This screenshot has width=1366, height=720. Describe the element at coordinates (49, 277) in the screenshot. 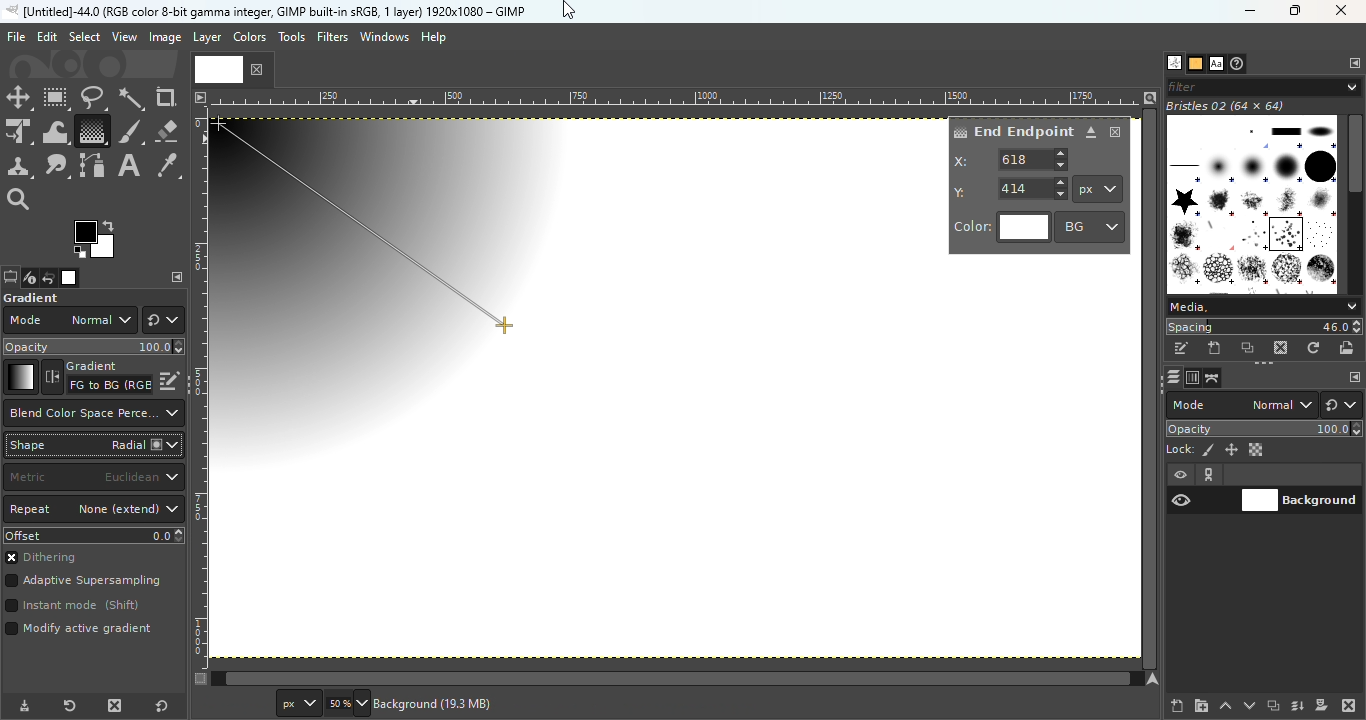

I see `Open the undo history dialog` at that location.